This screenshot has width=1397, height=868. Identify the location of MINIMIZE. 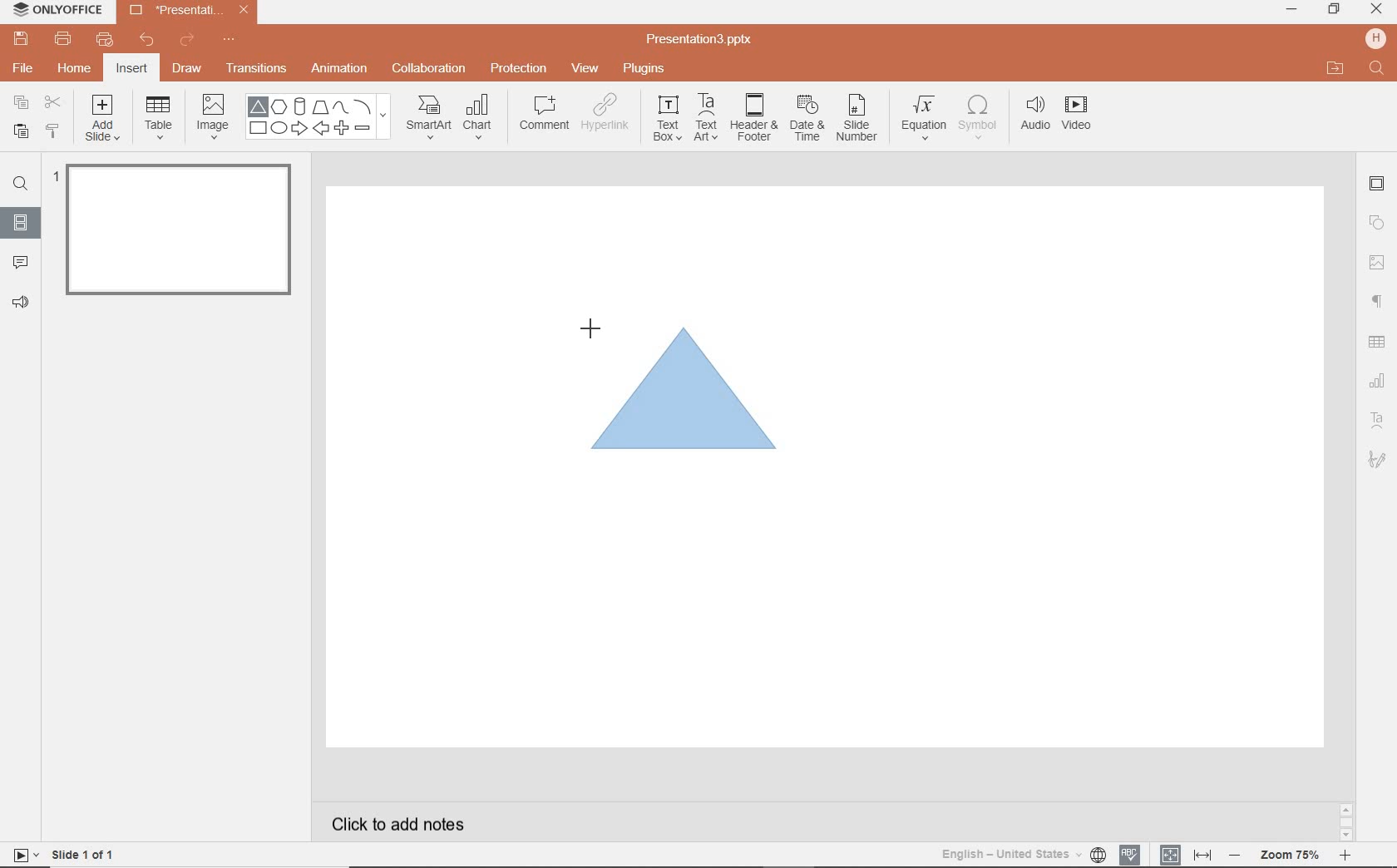
(1291, 10).